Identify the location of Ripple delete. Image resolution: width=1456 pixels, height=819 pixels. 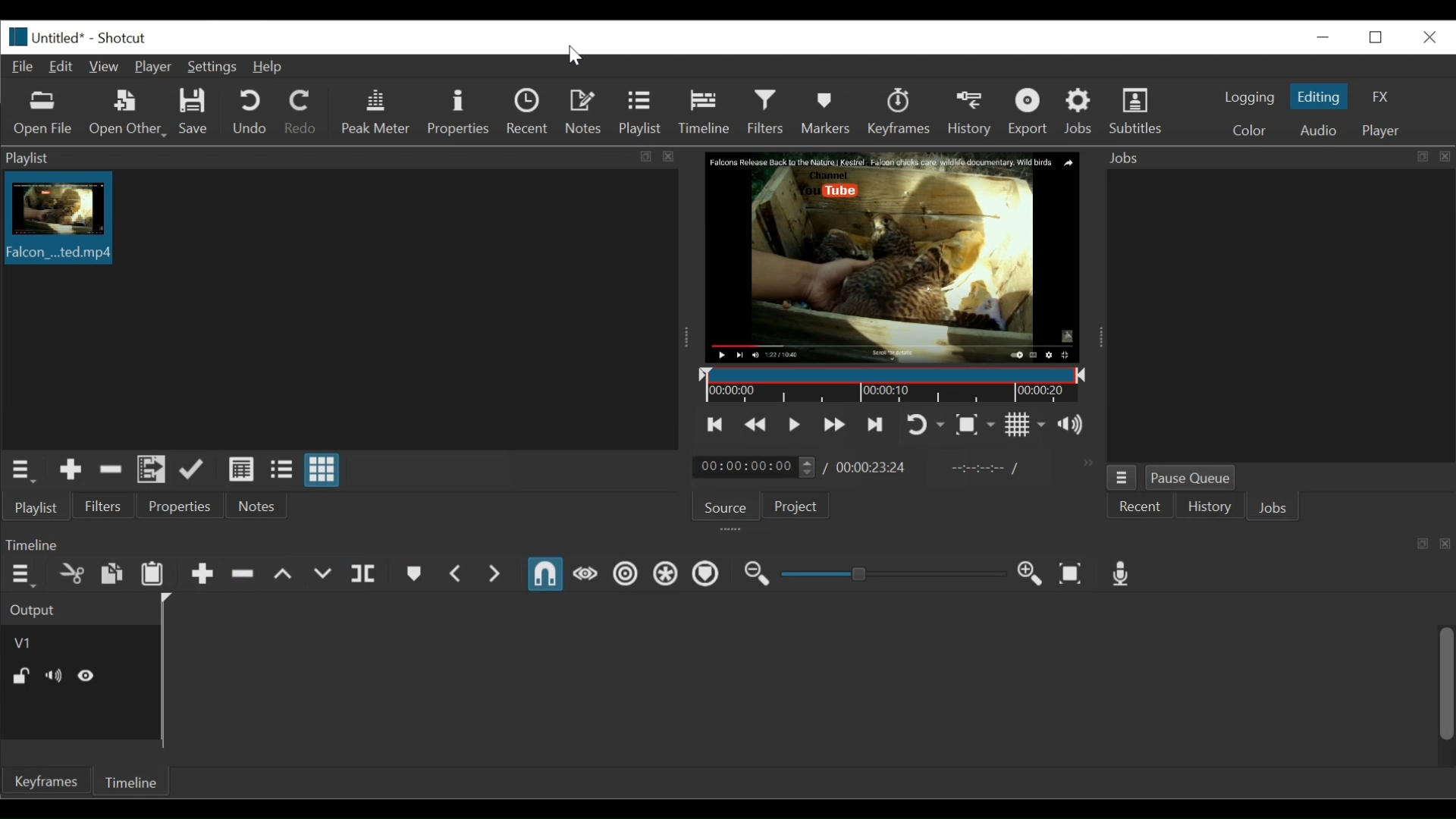
(243, 574).